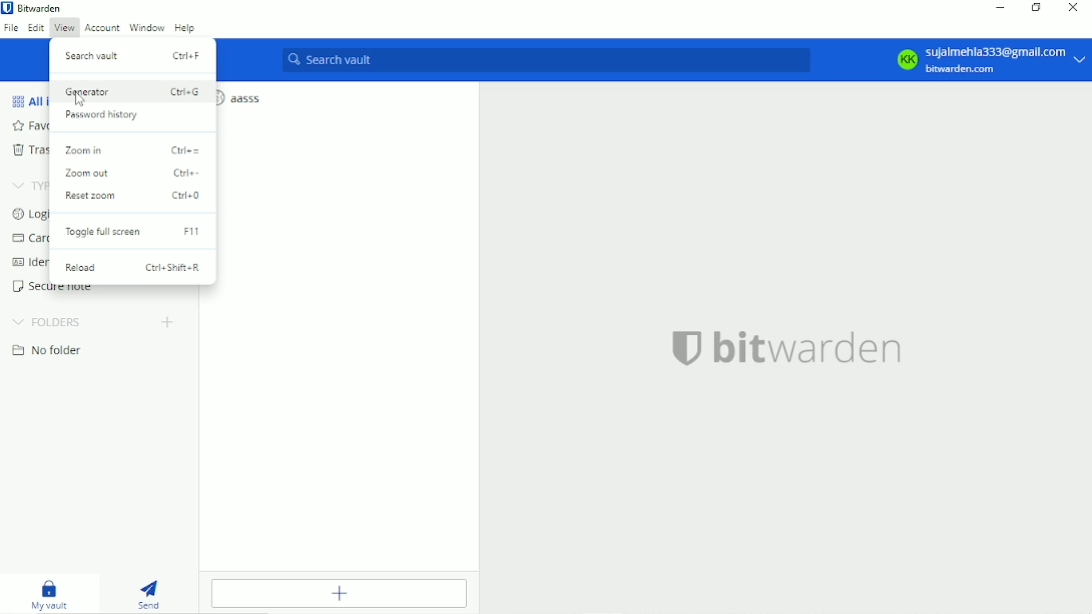 Image resolution: width=1092 pixels, height=614 pixels. Describe the element at coordinates (147, 28) in the screenshot. I see `Window` at that location.